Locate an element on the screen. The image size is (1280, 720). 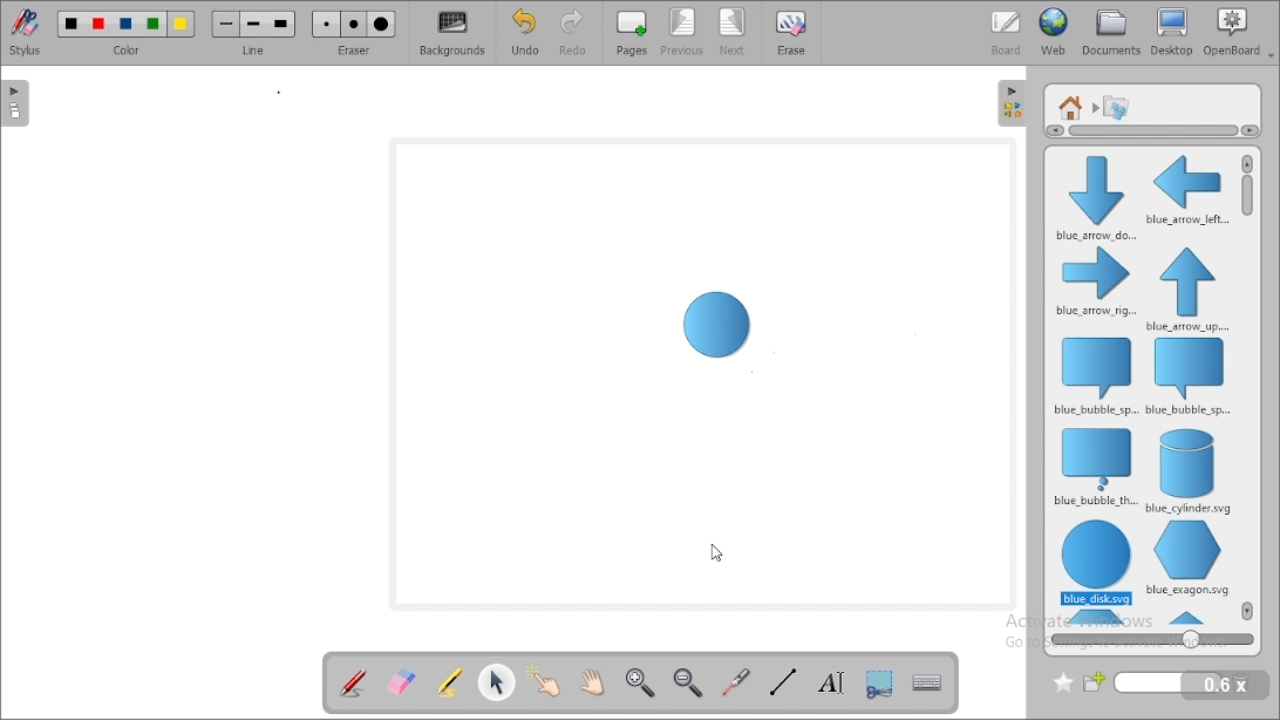
redo is located at coordinates (571, 33).